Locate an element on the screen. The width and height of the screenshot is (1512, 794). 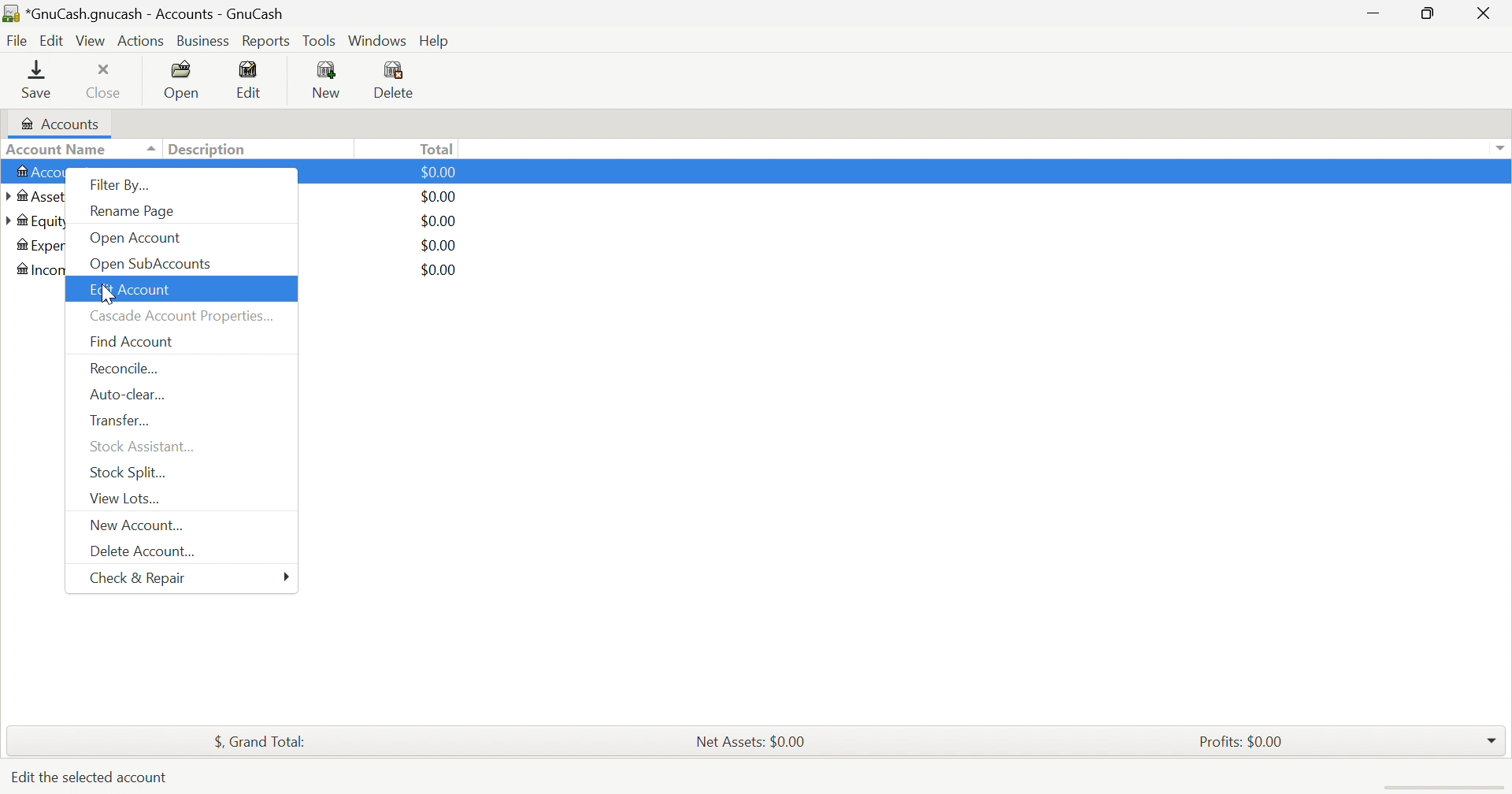
Cascade Account Properties... is located at coordinates (182, 315).